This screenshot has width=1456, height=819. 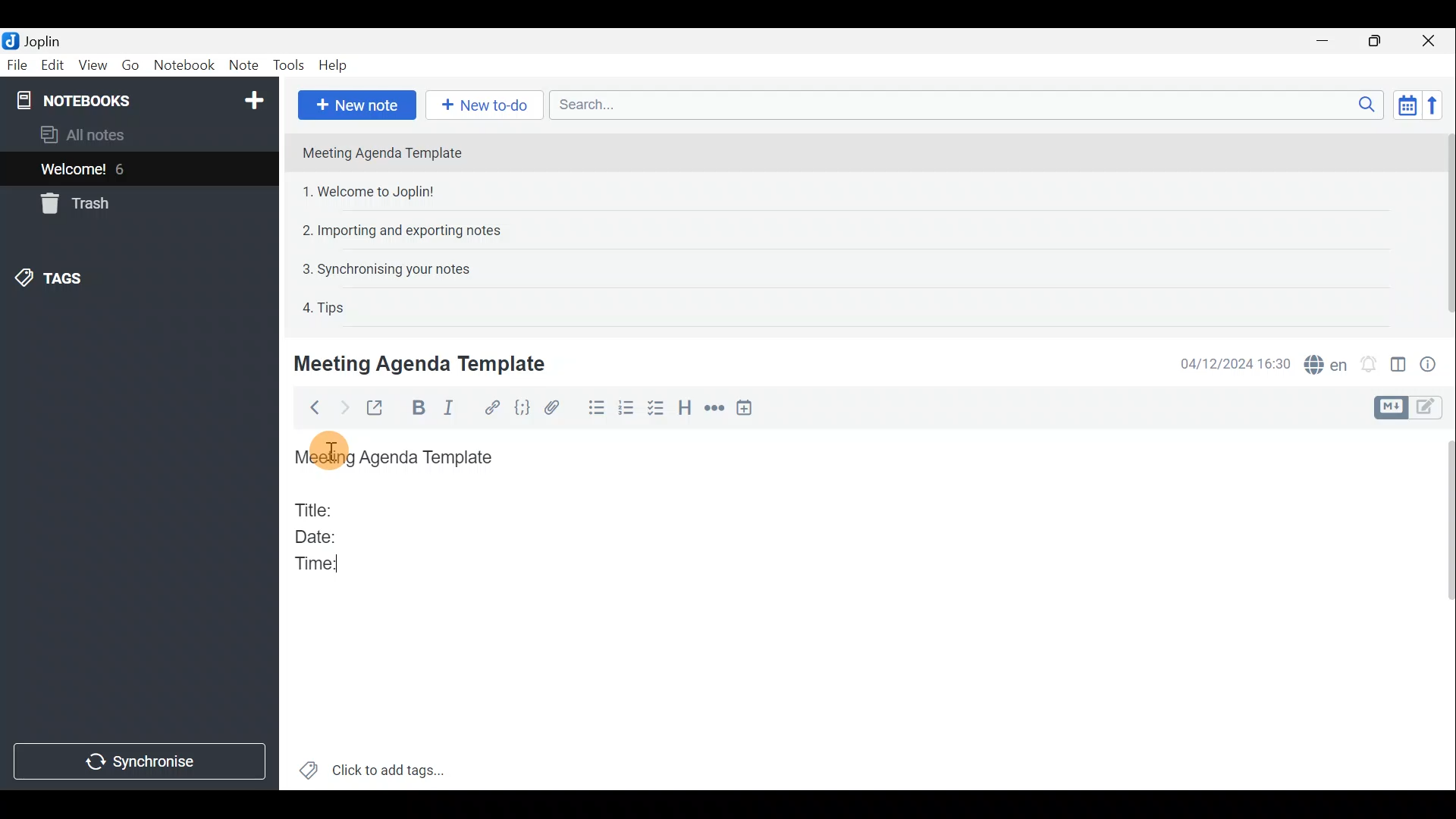 What do you see at coordinates (286, 63) in the screenshot?
I see `Tools` at bounding box center [286, 63].